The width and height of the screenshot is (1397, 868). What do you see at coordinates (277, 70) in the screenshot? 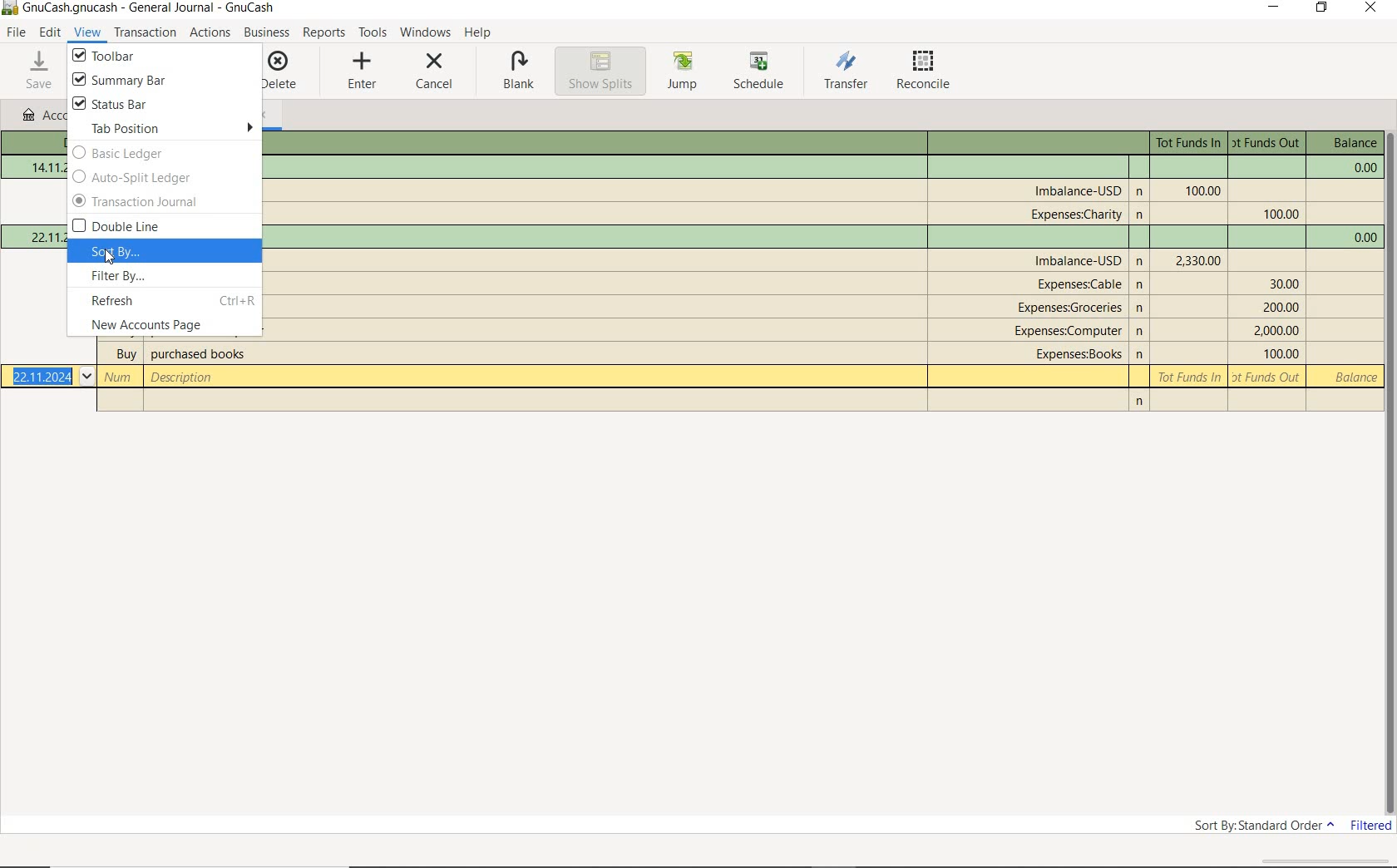
I see `DELETE` at bounding box center [277, 70].